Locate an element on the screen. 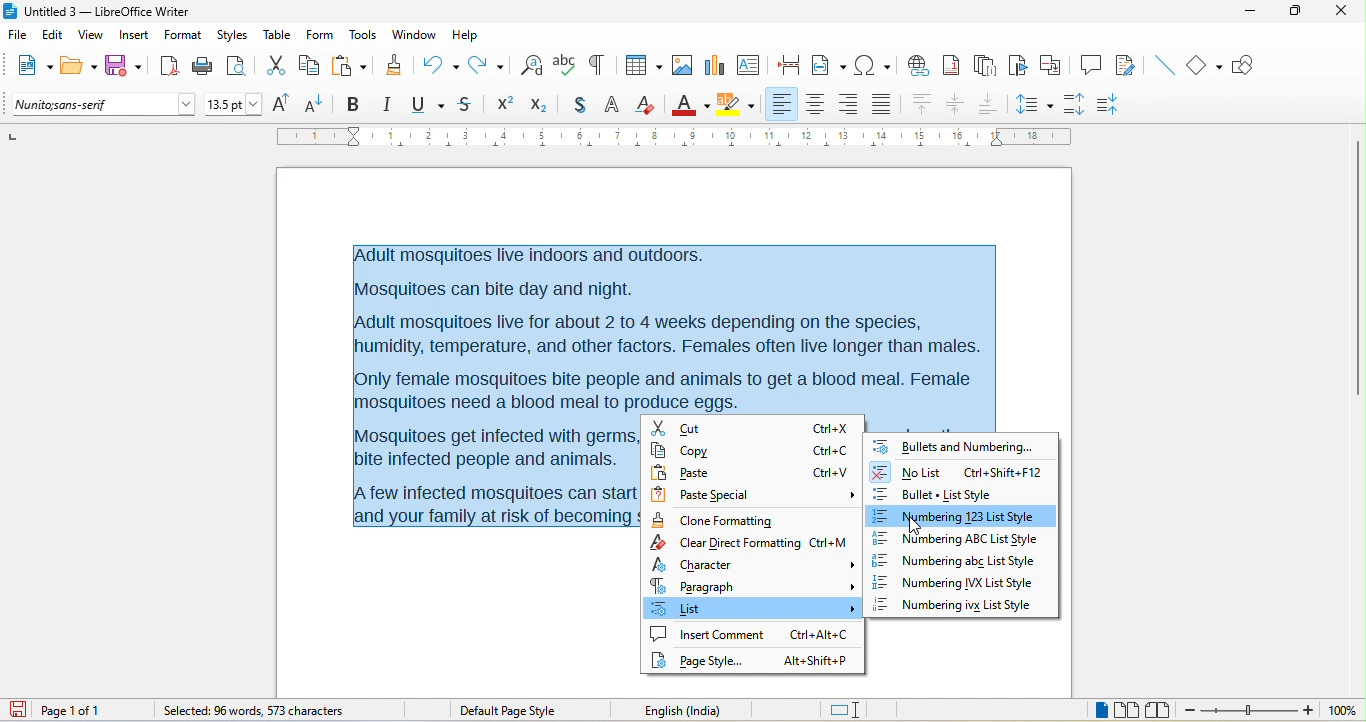 The width and height of the screenshot is (1366, 722). single page view is located at coordinates (1084, 709).